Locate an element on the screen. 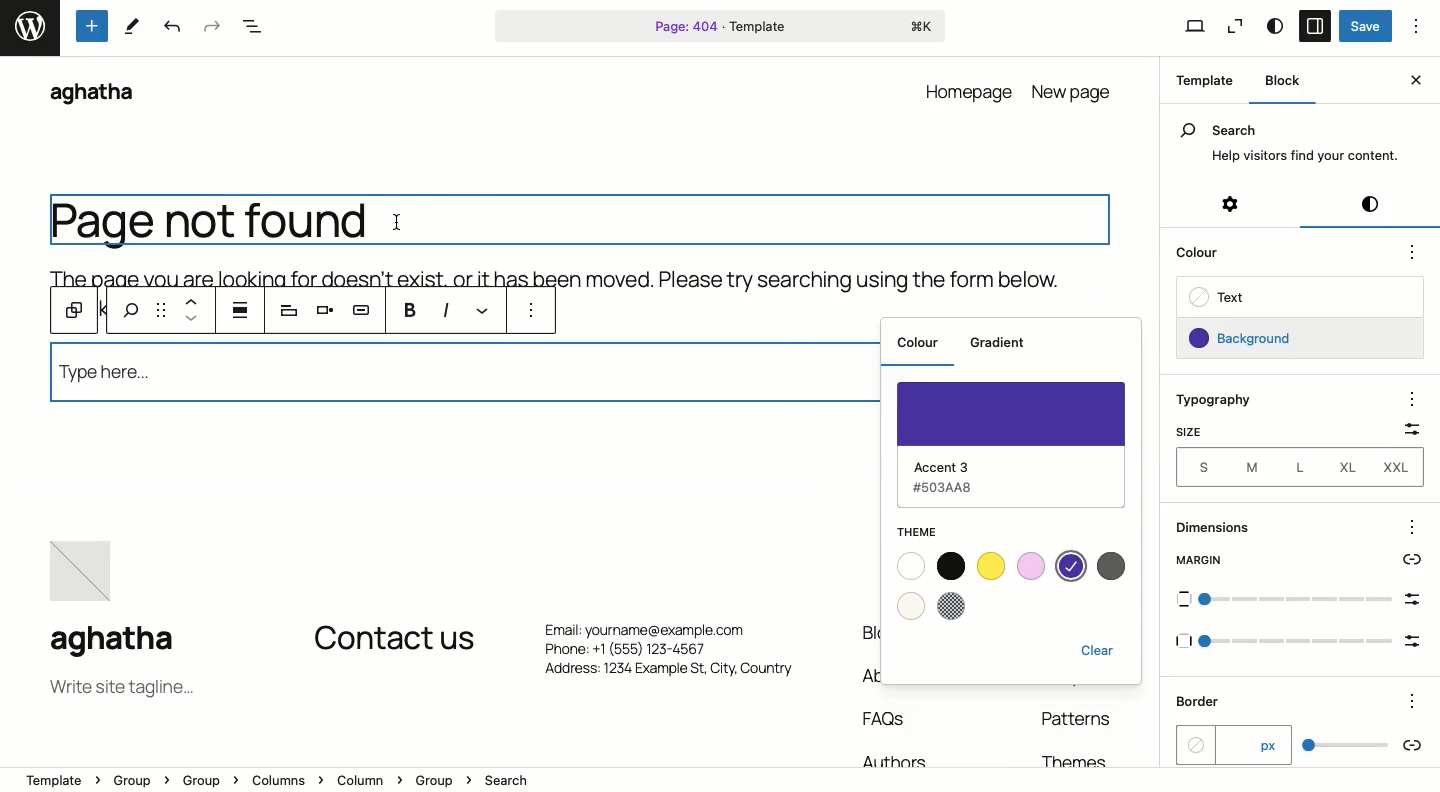 This screenshot has height=792, width=1440. Redo is located at coordinates (209, 27).